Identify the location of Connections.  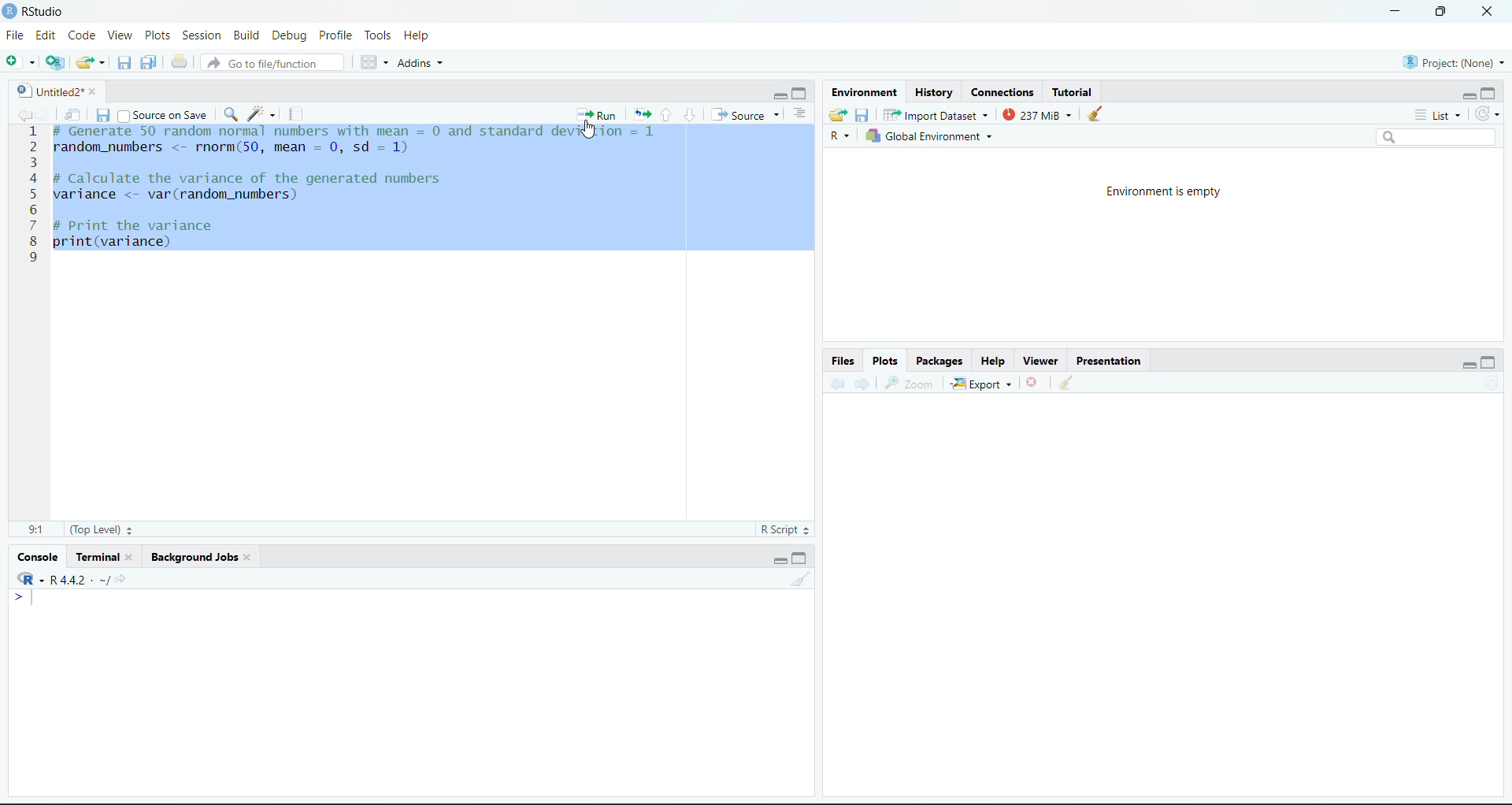
(1003, 93).